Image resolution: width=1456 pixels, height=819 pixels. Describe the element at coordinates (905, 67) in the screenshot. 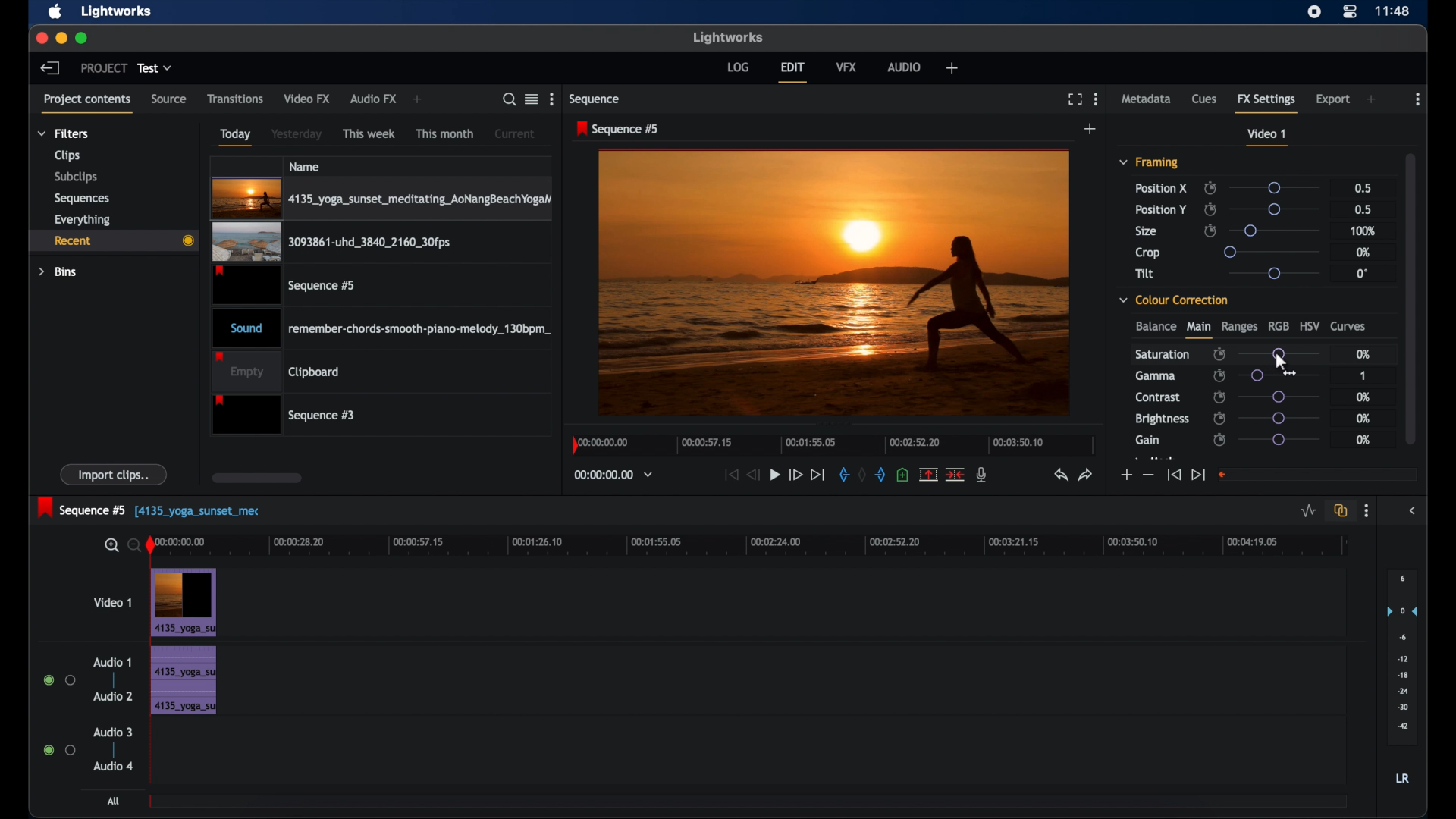

I see `audio` at that location.